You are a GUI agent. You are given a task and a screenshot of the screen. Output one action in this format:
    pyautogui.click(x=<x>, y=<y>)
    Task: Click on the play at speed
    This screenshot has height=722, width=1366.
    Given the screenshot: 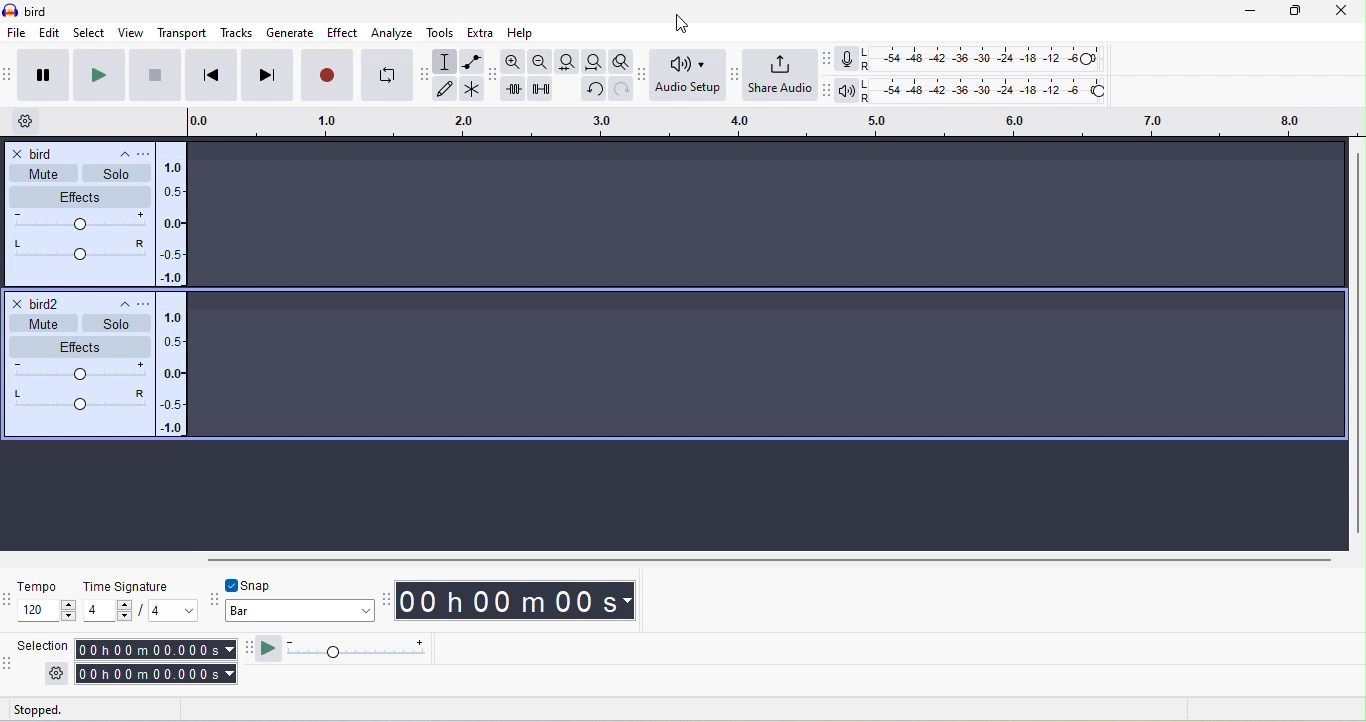 What is the action you would take?
    pyautogui.click(x=355, y=652)
    